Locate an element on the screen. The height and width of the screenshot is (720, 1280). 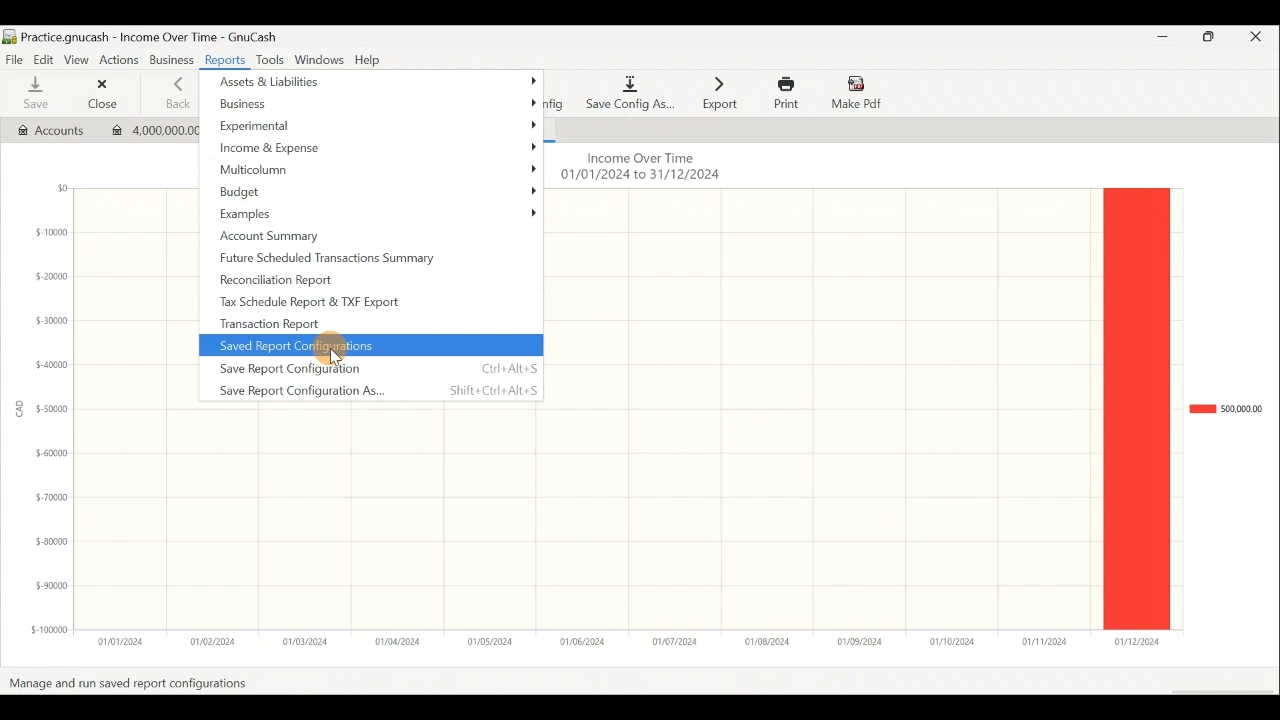
Multicolumn is located at coordinates (372, 169).